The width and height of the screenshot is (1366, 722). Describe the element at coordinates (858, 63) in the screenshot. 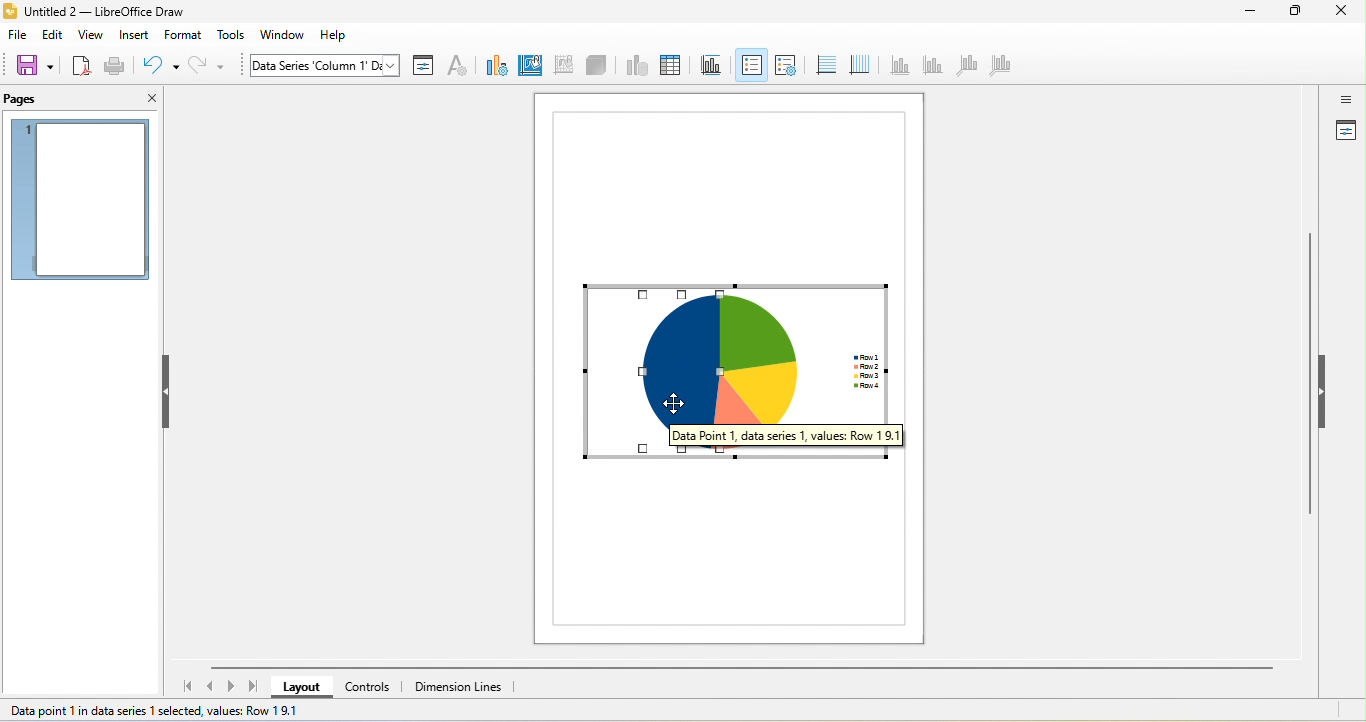

I see `vertical grid` at that location.